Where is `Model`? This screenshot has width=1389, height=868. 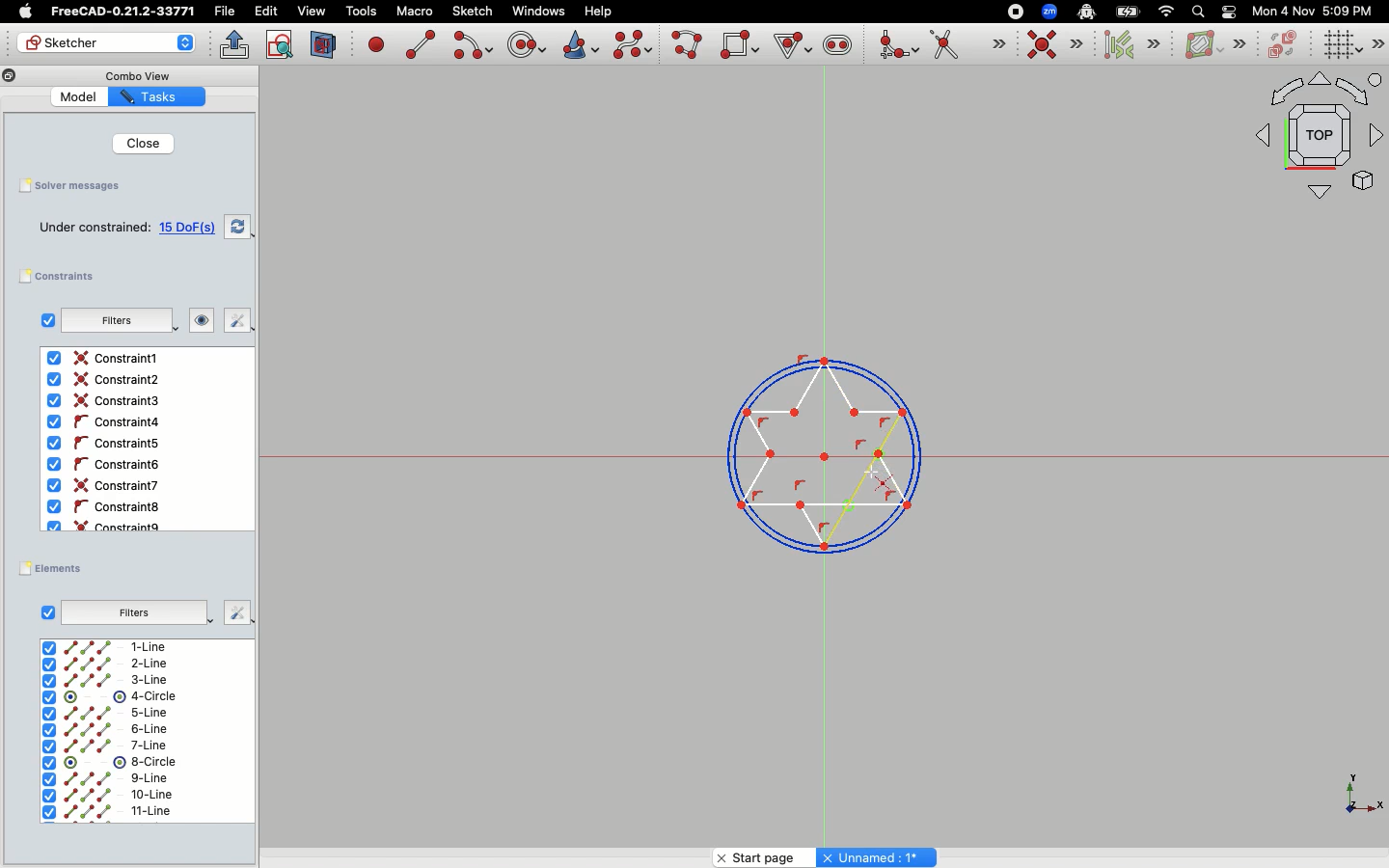 Model is located at coordinates (76, 95).